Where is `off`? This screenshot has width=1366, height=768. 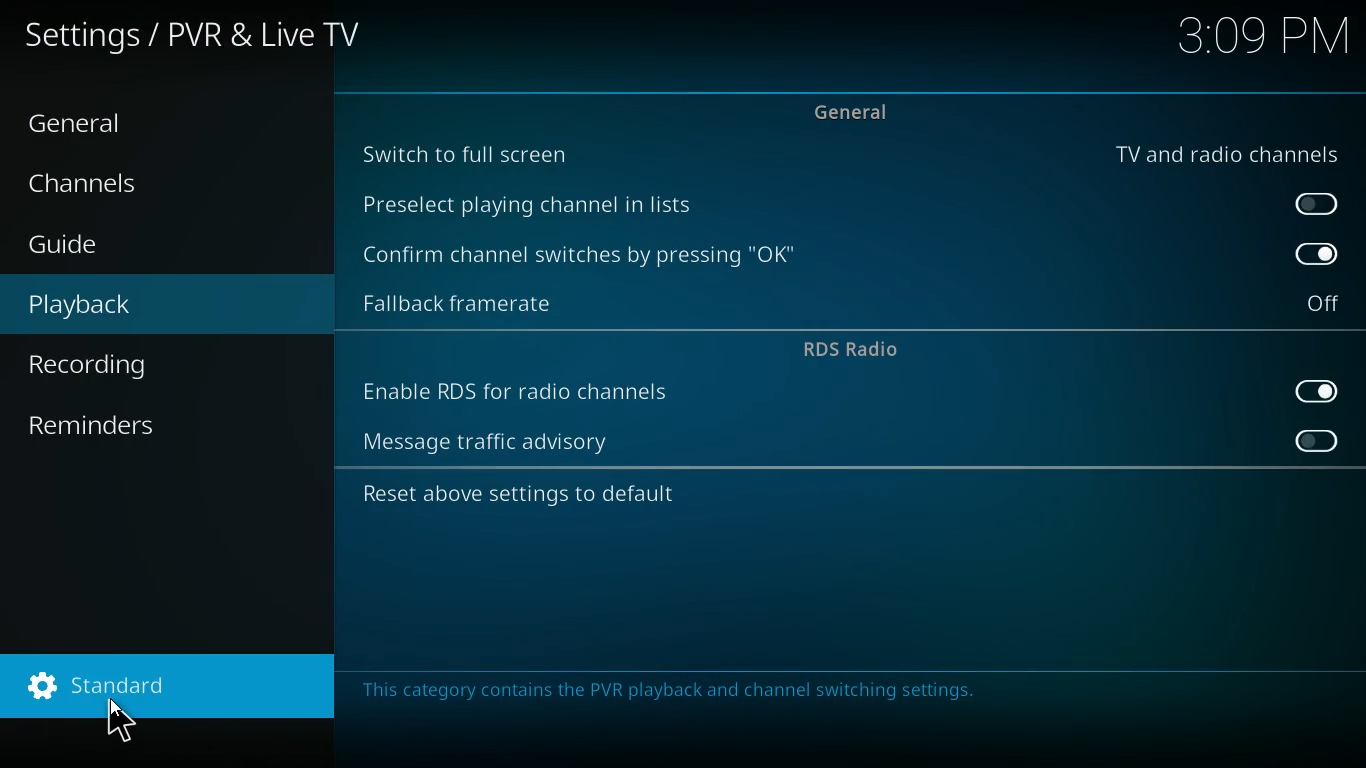 off is located at coordinates (1326, 302).